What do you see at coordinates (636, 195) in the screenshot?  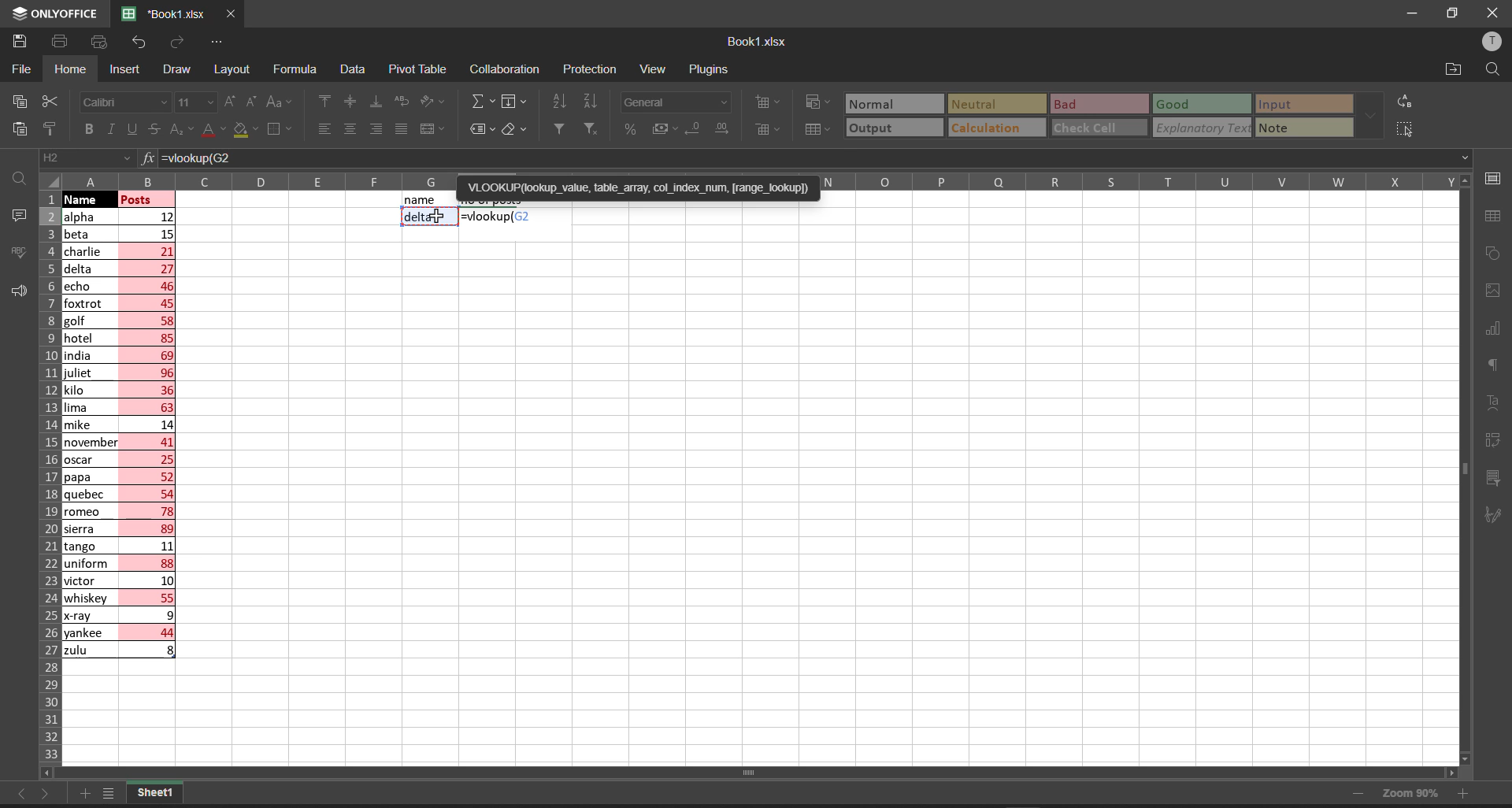 I see `'VLOOKUP(lookup_value, table_array, col_index_num, [range_lookup])=` at bounding box center [636, 195].